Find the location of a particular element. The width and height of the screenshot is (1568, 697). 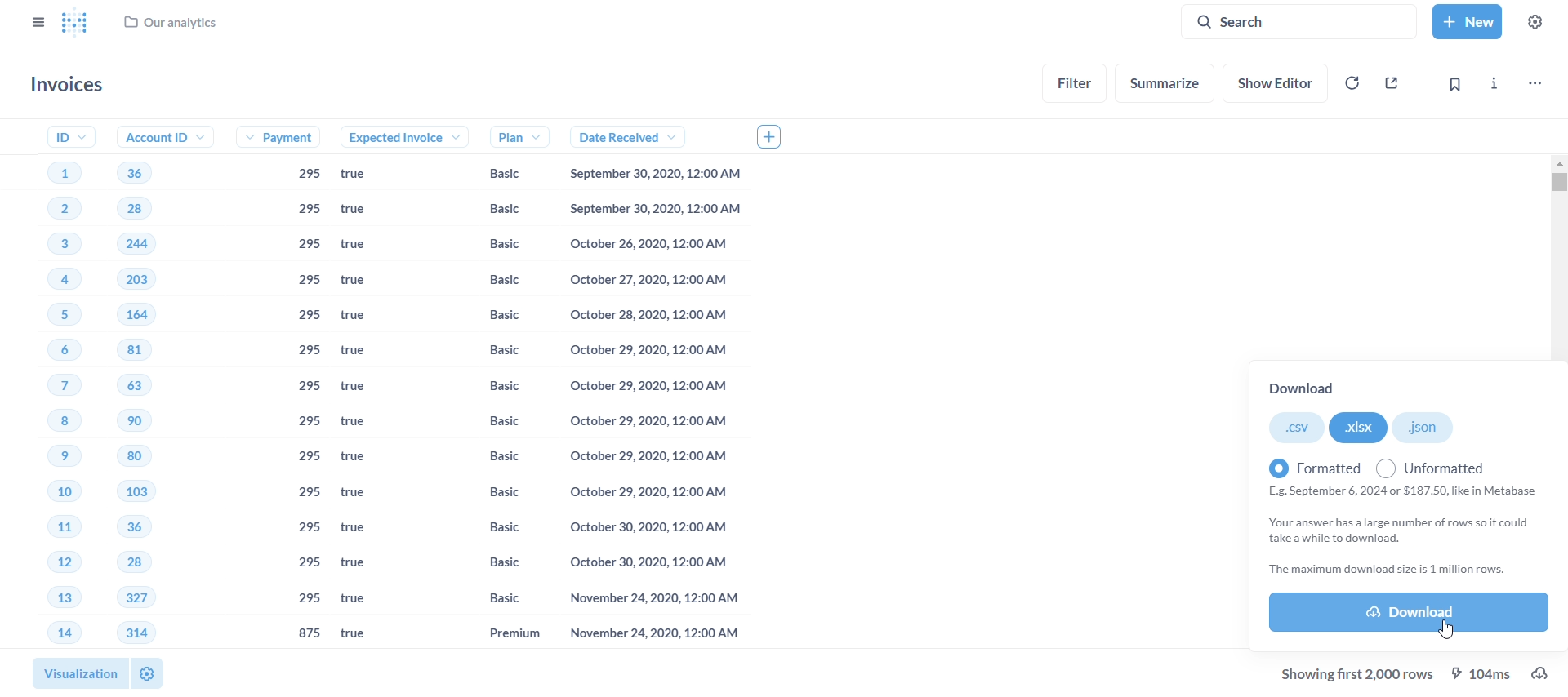

13 is located at coordinates (46, 599).